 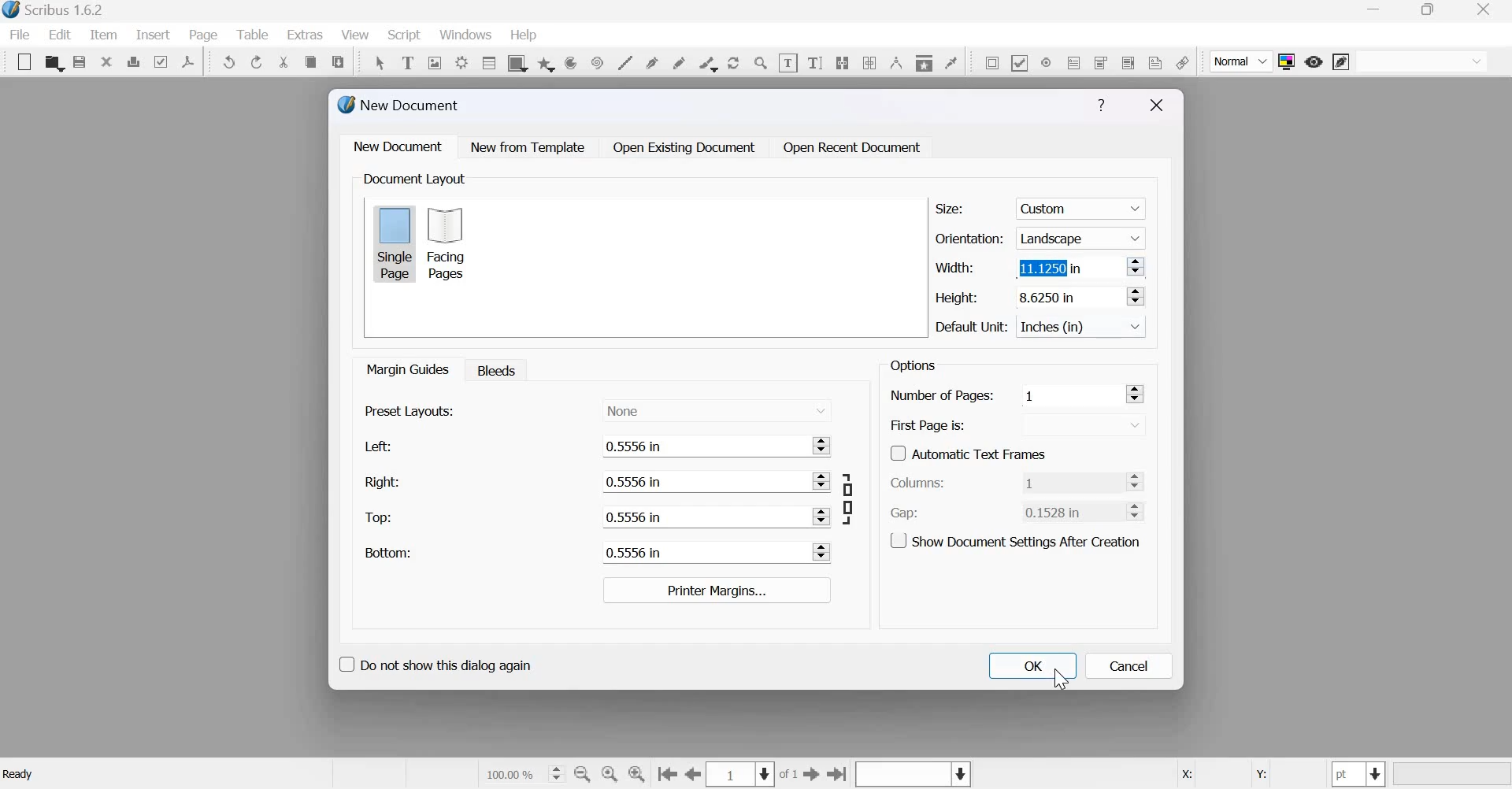 What do you see at coordinates (969, 237) in the screenshot?
I see `Orientation: ` at bounding box center [969, 237].